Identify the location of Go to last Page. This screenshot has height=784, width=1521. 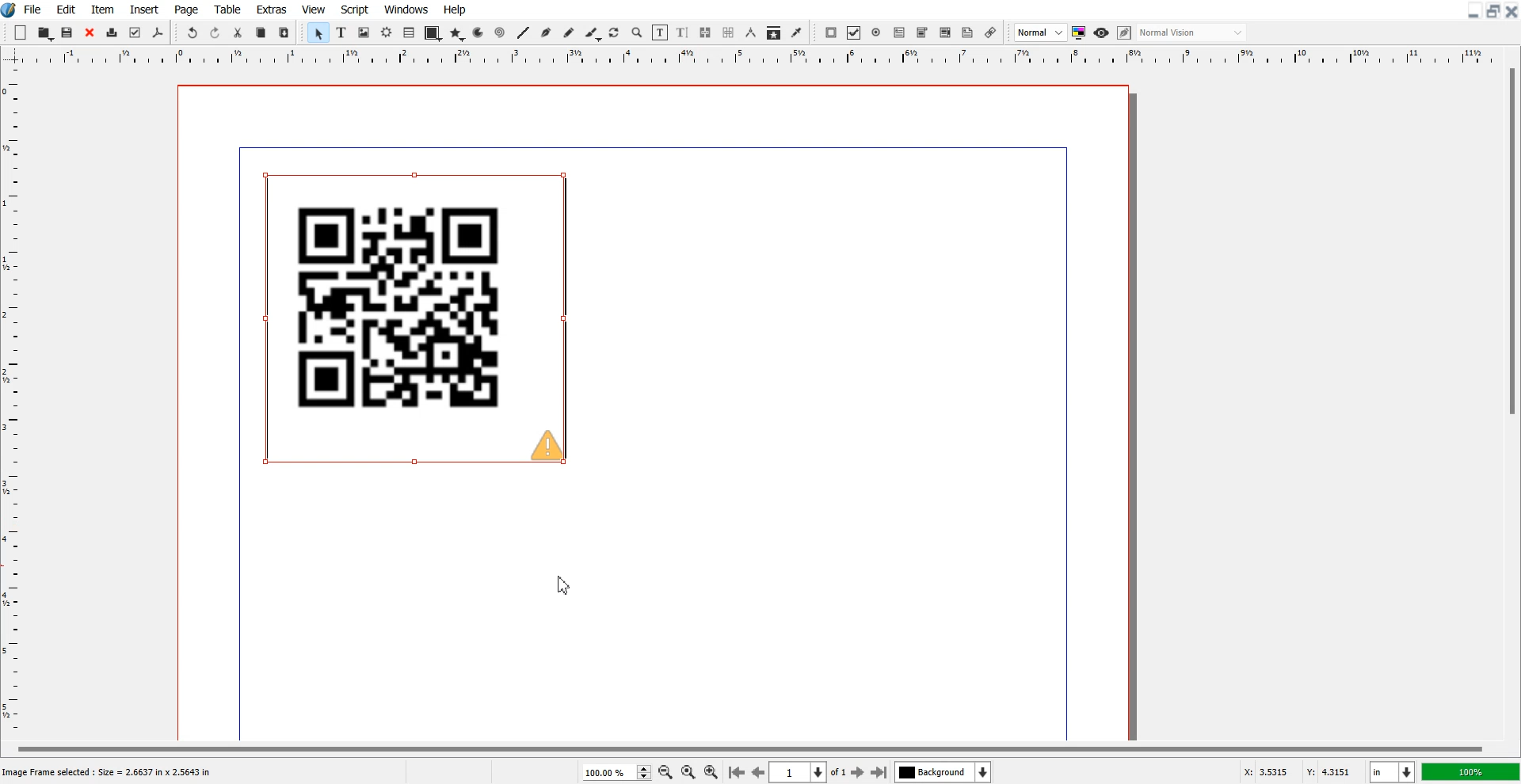
(879, 772).